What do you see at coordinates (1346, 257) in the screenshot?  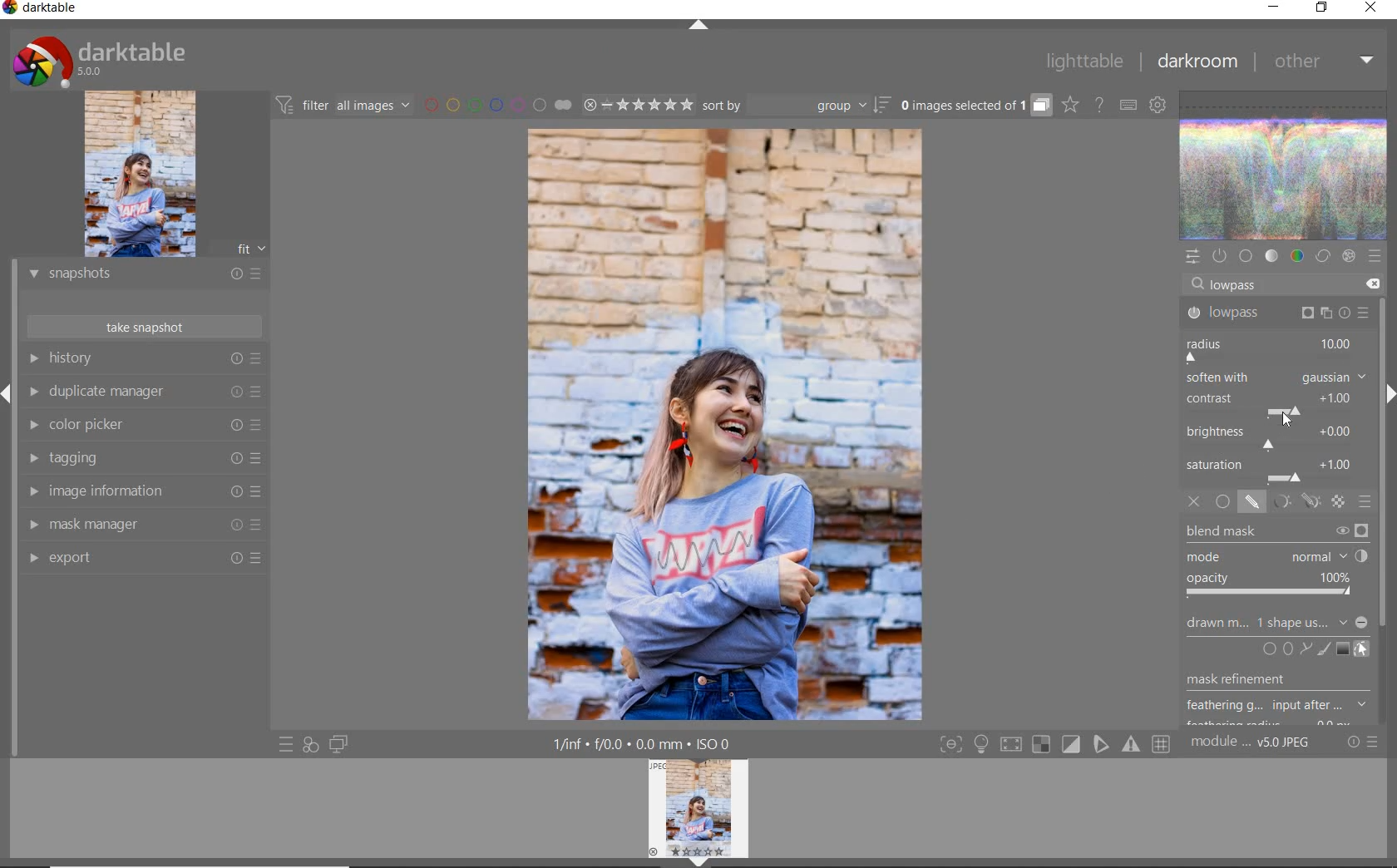 I see `effect` at bounding box center [1346, 257].